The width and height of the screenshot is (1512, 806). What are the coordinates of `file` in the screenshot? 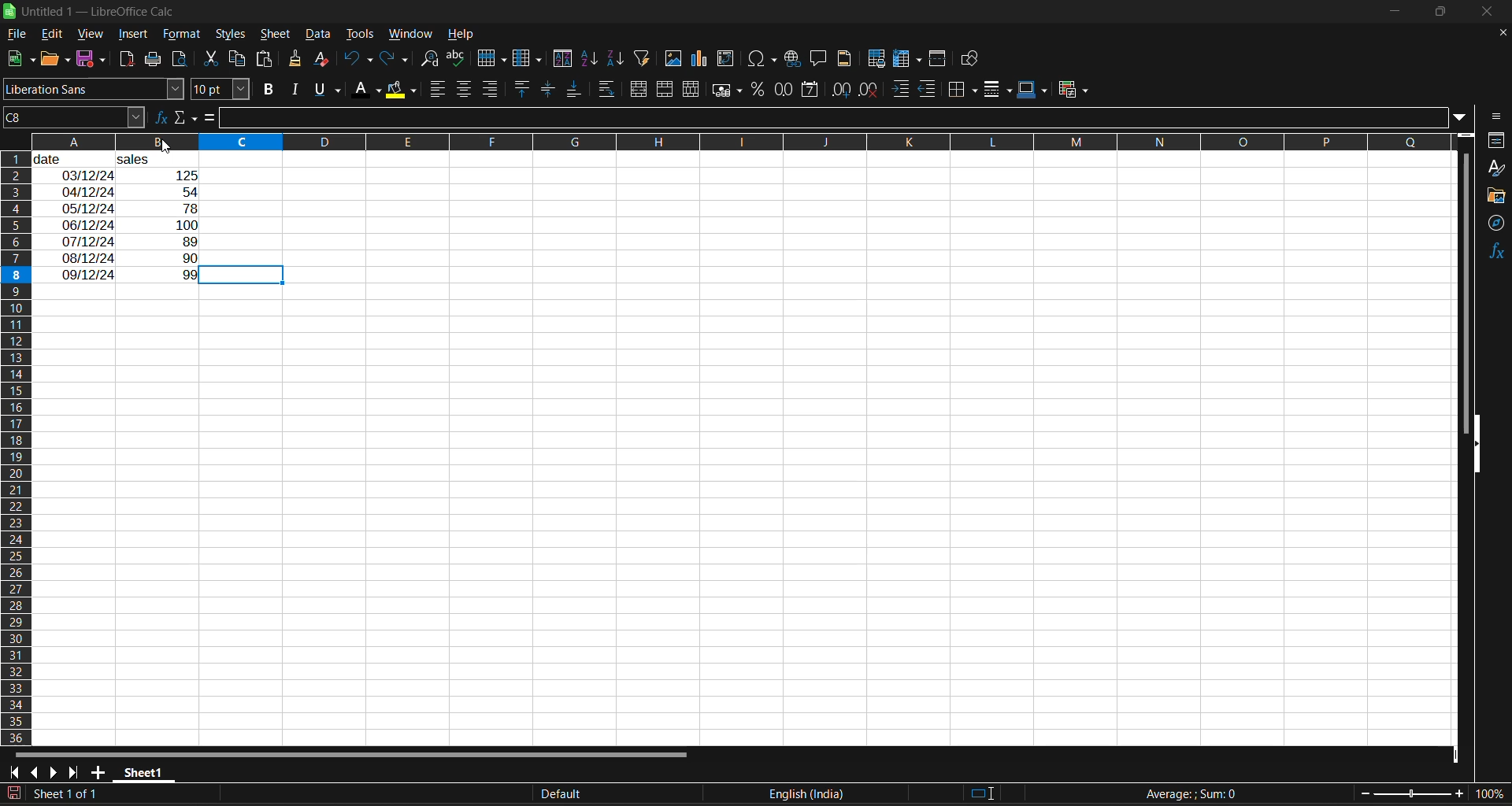 It's located at (19, 33).